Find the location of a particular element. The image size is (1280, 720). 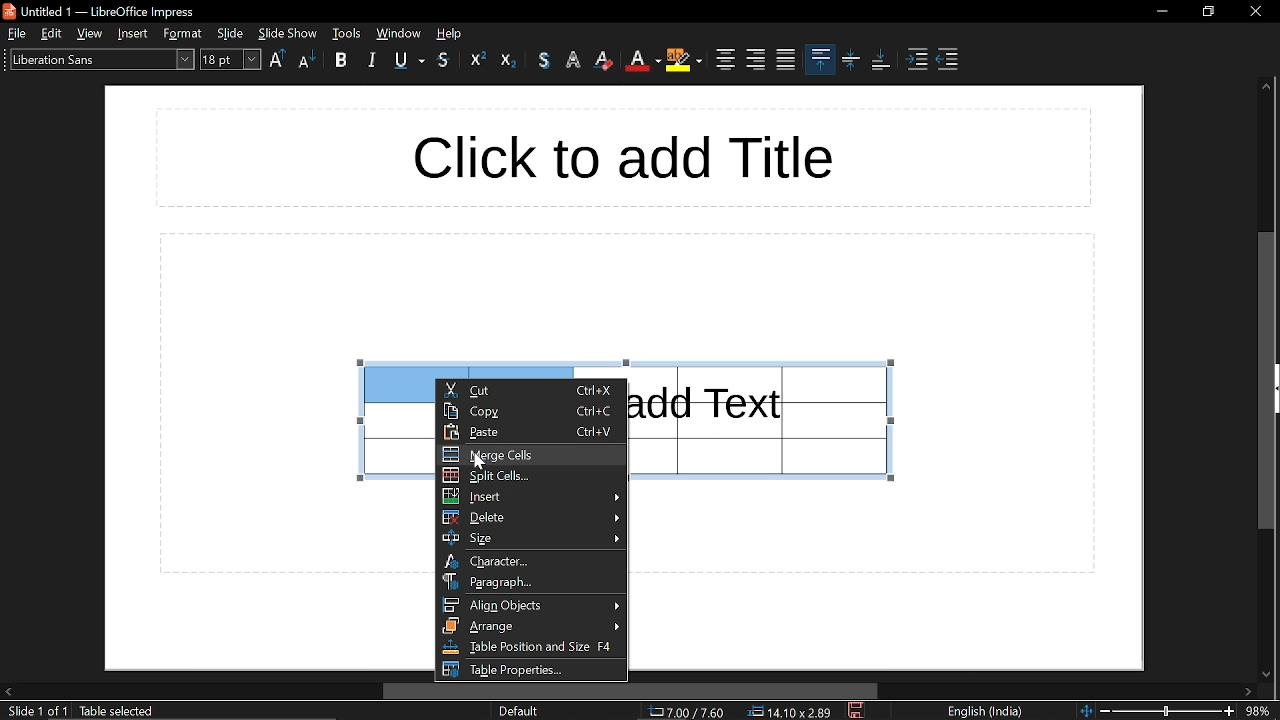

subscript is located at coordinates (509, 59).